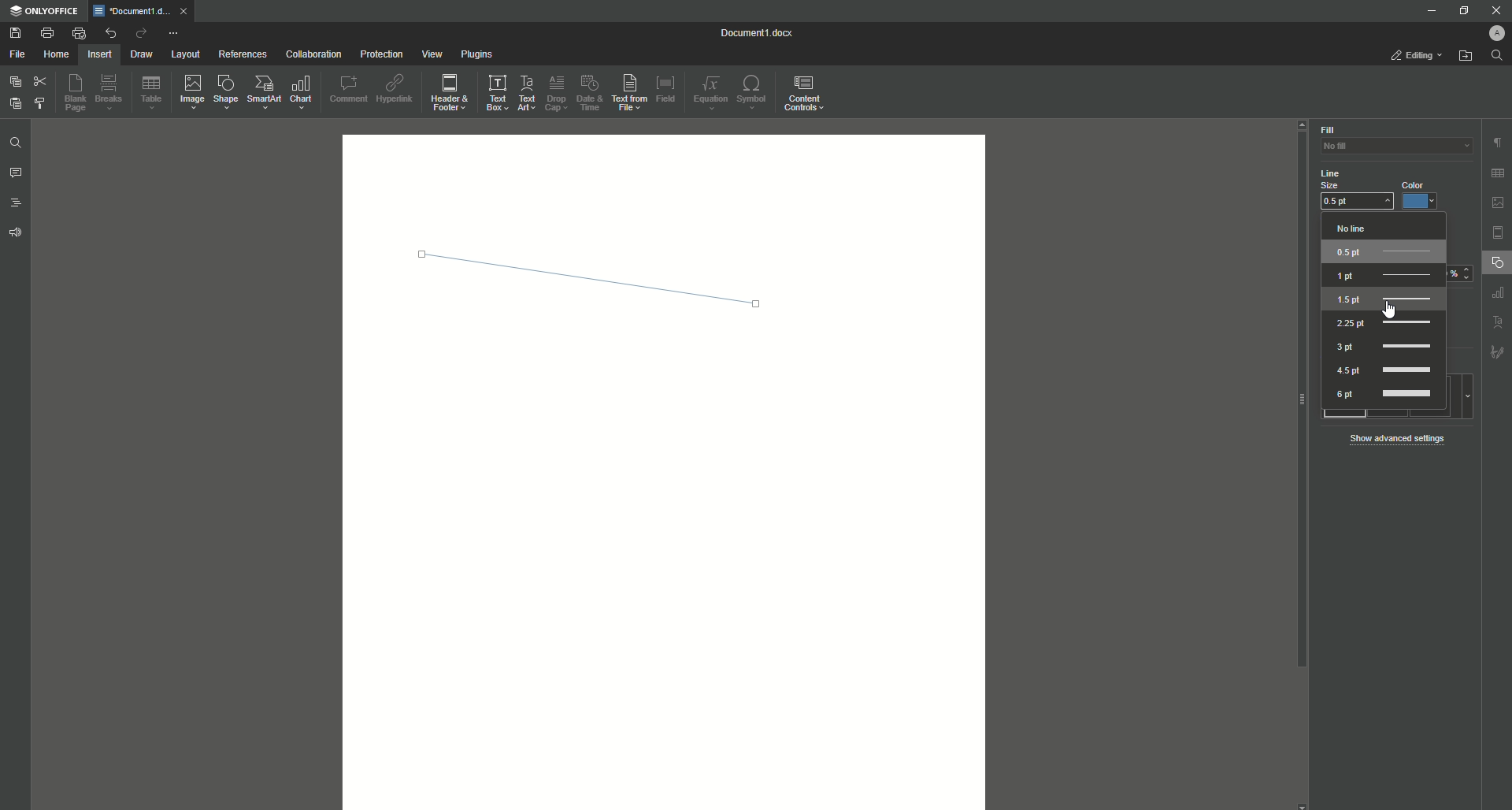  Describe the element at coordinates (1497, 10) in the screenshot. I see `Close` at that location.